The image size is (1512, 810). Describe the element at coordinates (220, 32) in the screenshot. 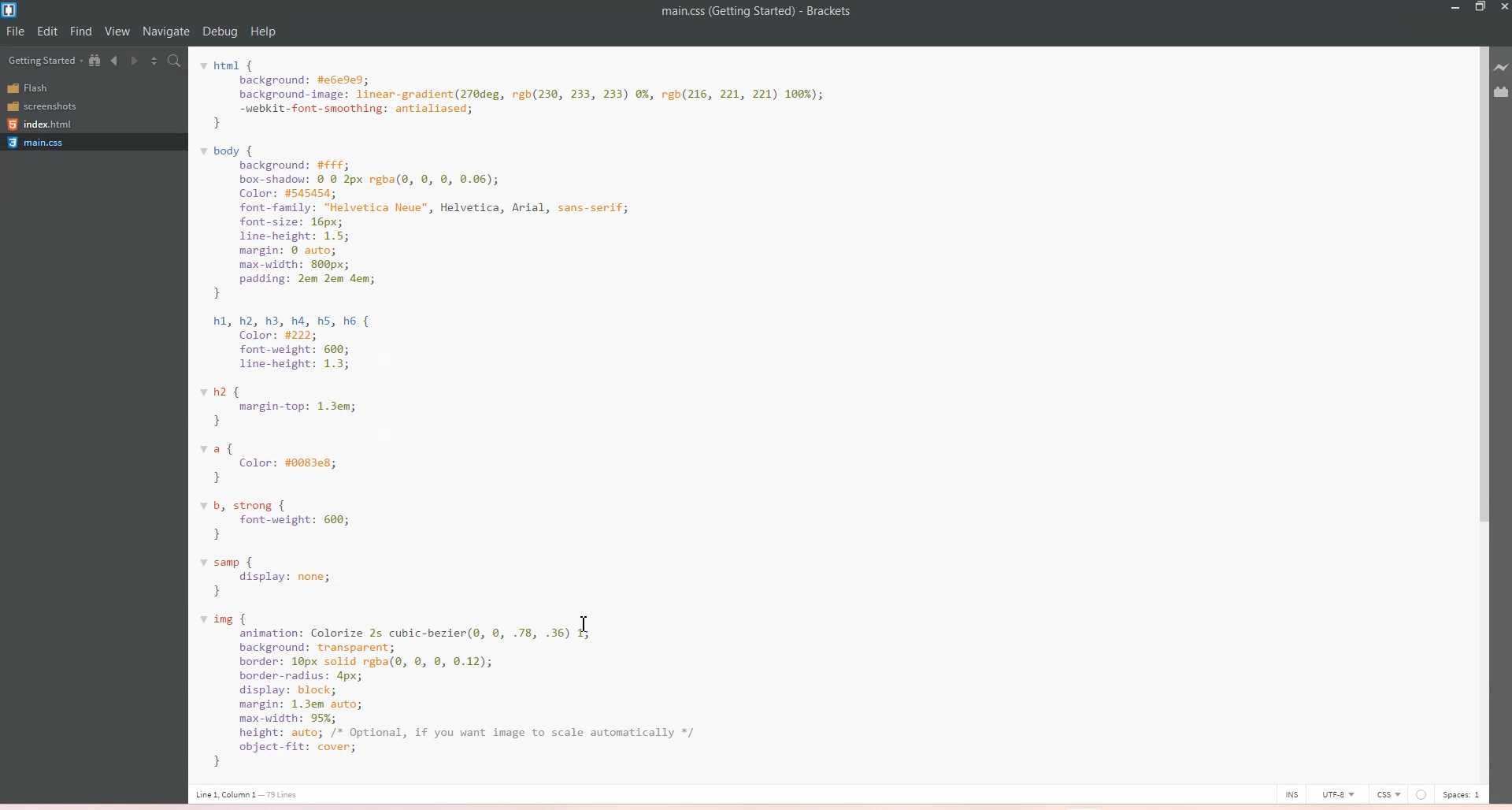

I see `Debug` at that location.